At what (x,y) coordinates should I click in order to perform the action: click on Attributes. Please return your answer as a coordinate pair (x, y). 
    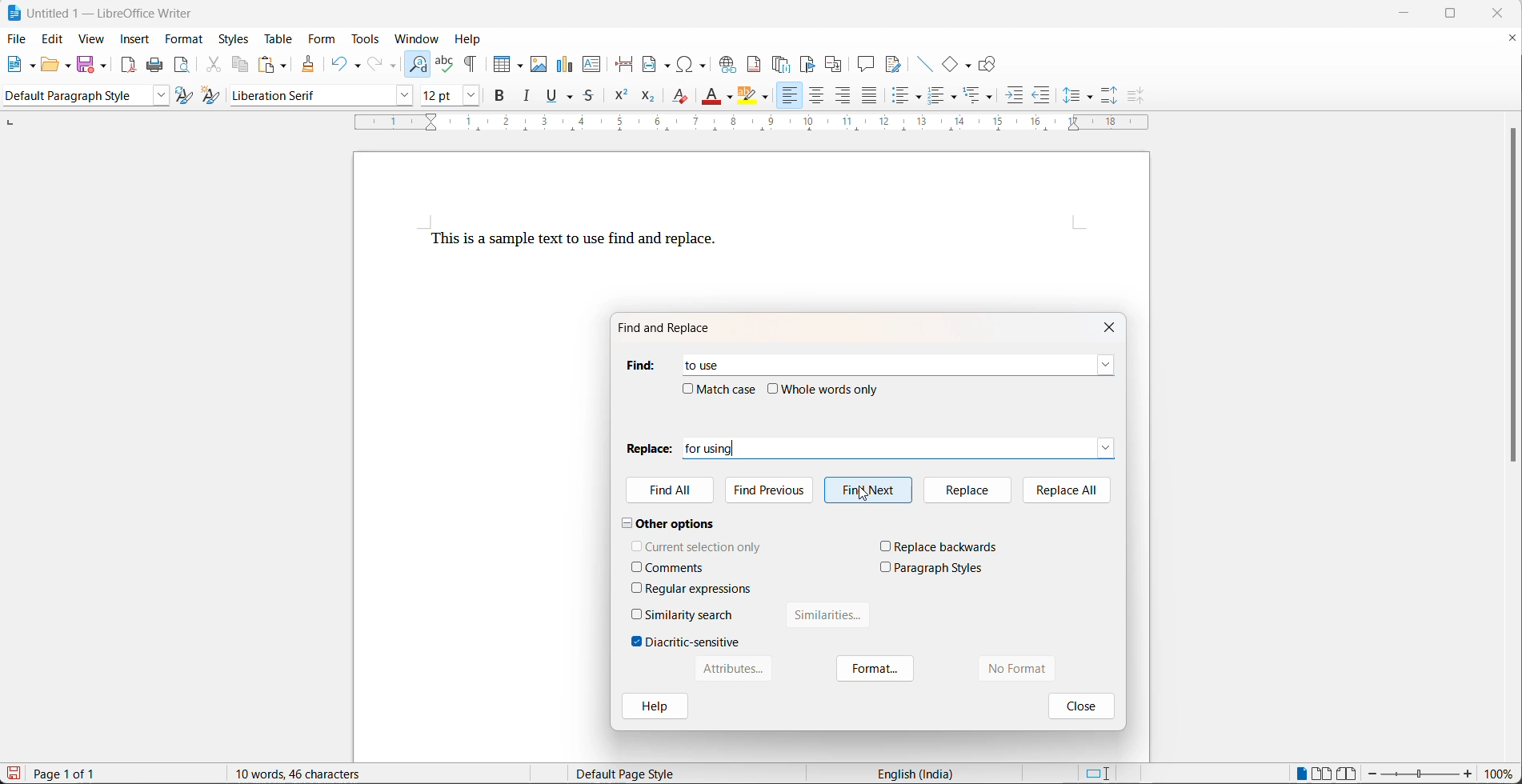
    Looking at the image, I should click on (731, 669).